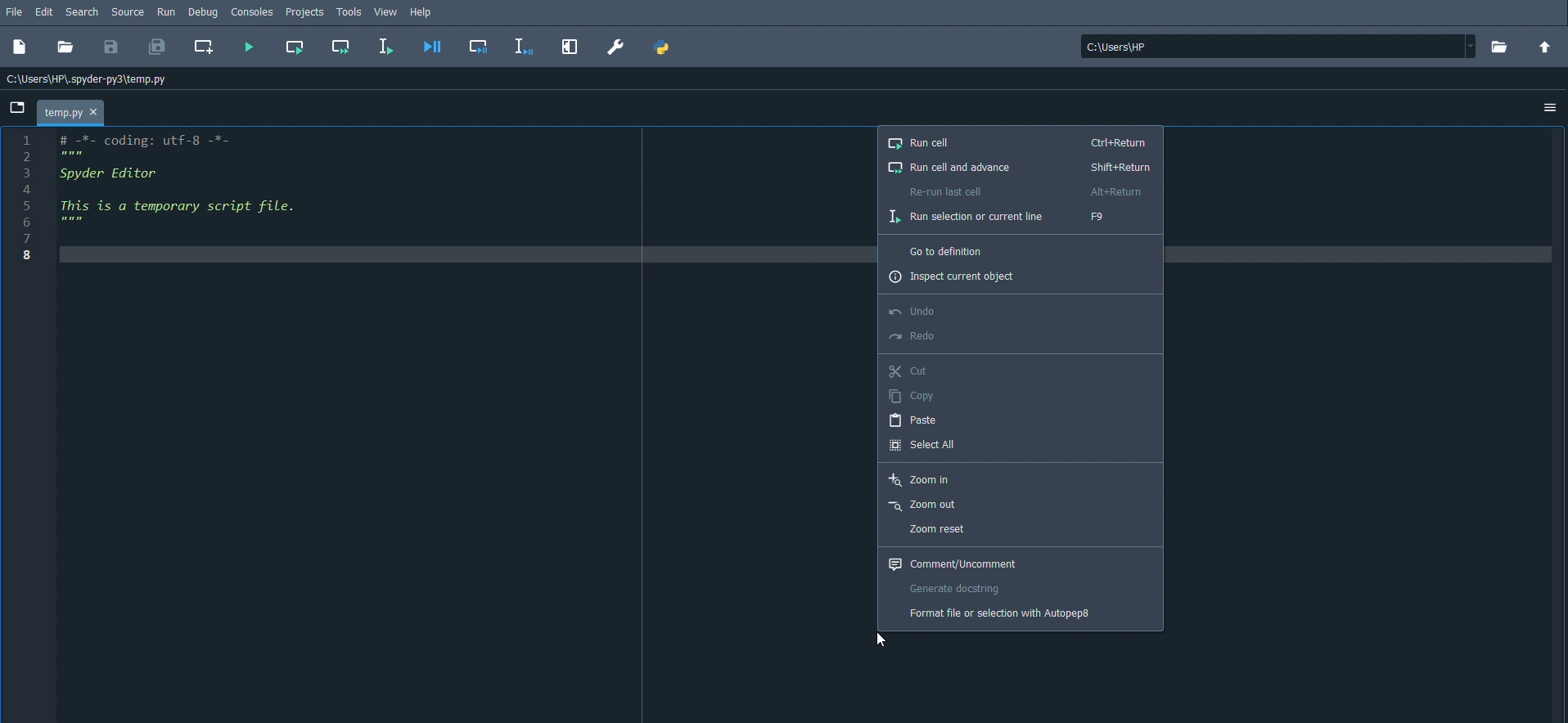 Image resolution: width=1568 pixels, height=723 pixels. I want to click on Temporary file, so click(73, 110).